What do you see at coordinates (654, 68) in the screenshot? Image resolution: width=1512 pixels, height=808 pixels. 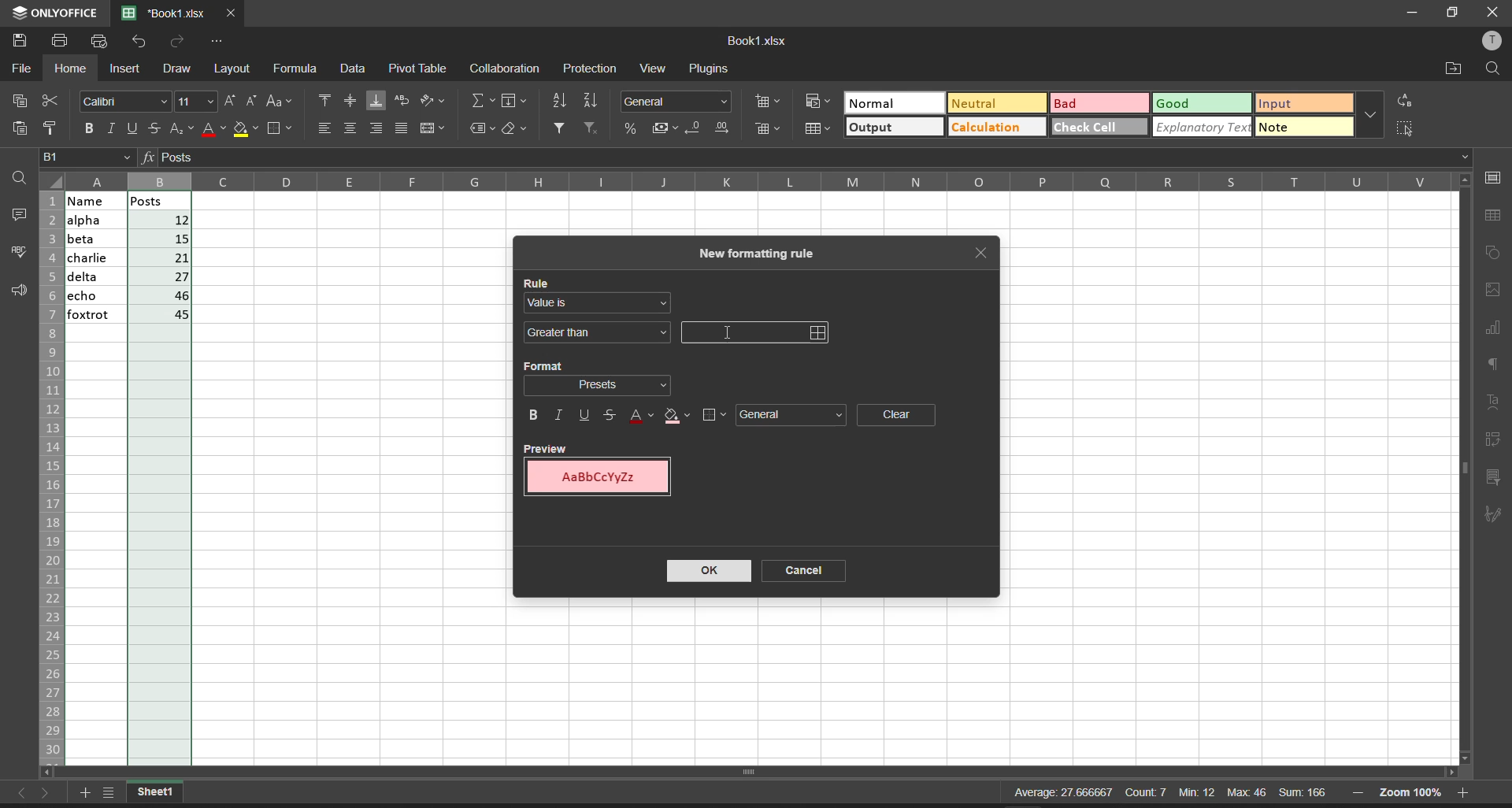 I see `view` at bounding box center [654, 68].